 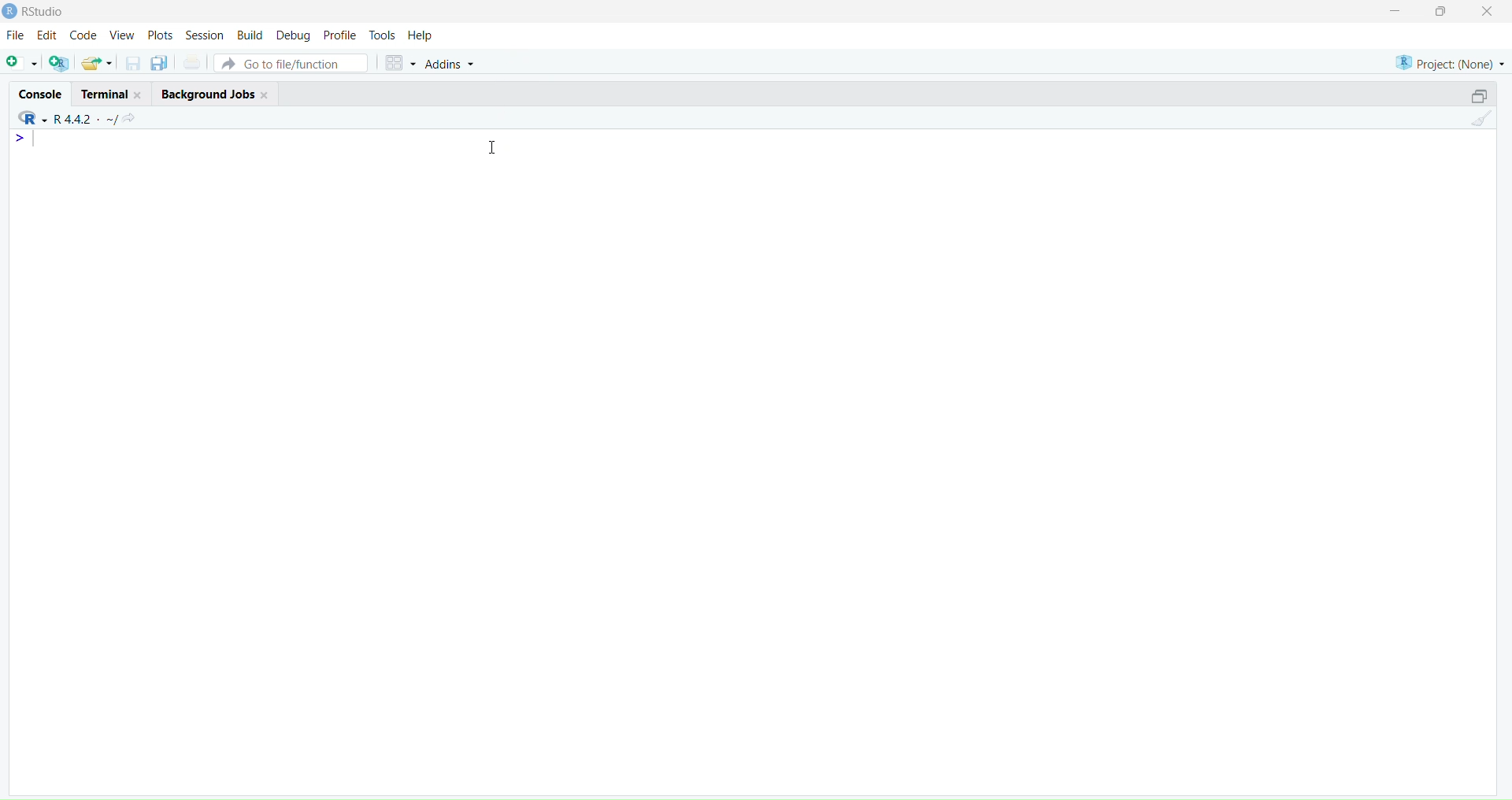 I want to click on collapse, so click(x=1481, y=95).